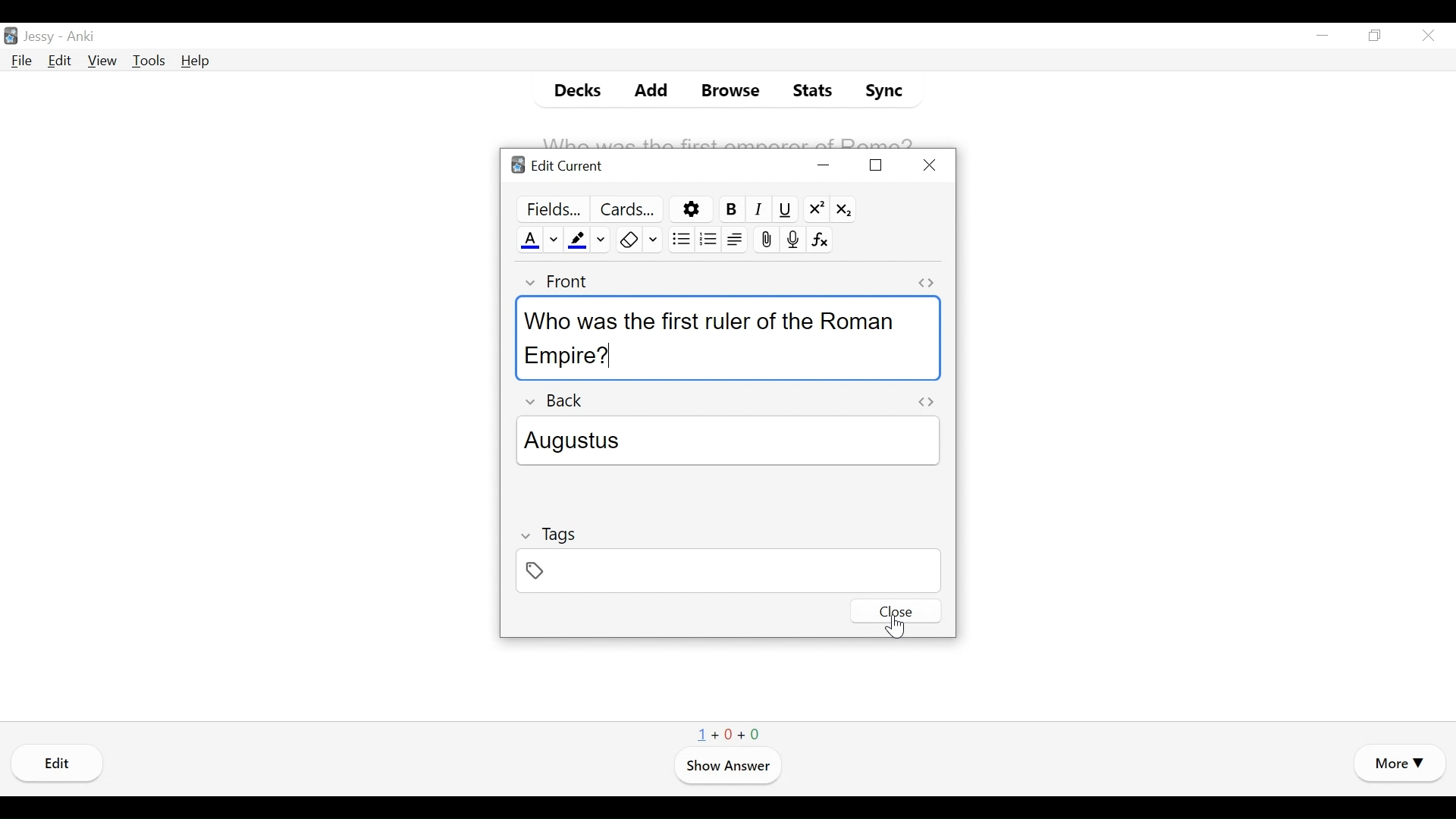 This screenshot has width=1456, height=819. I want to click on Restore, so click(1376, 36).